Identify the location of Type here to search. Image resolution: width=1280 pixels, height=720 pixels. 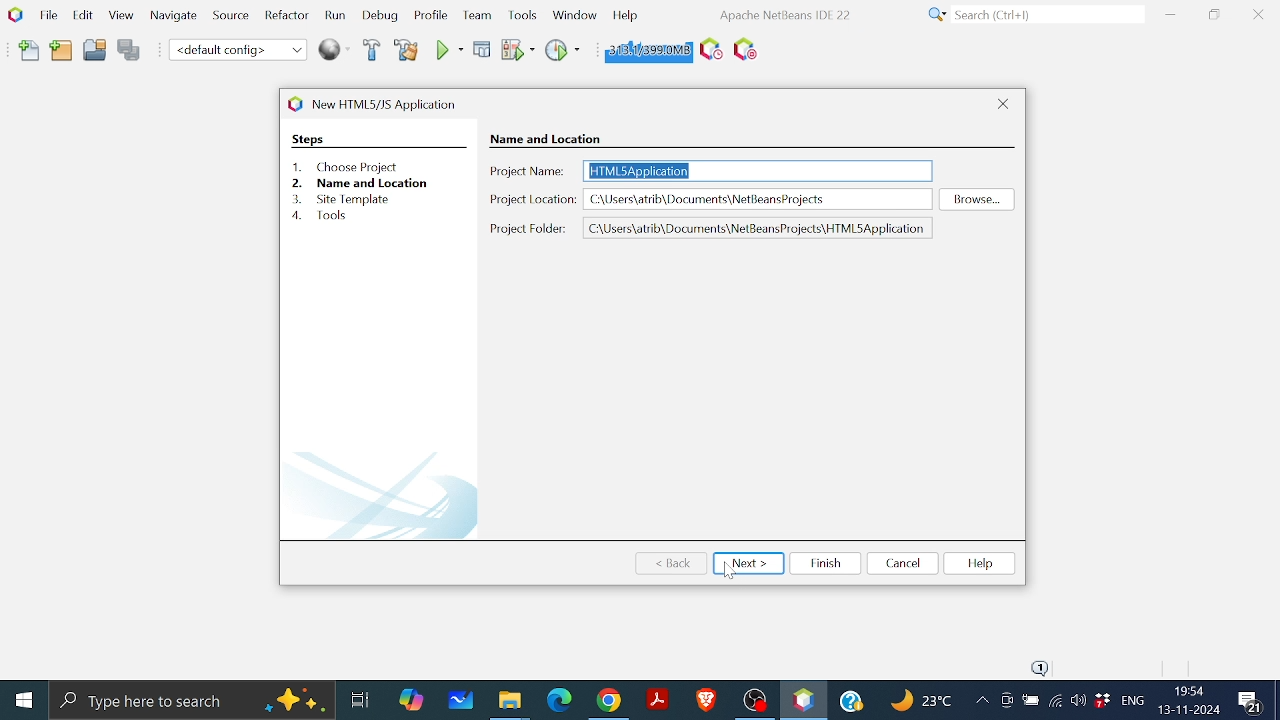
(192, 700).